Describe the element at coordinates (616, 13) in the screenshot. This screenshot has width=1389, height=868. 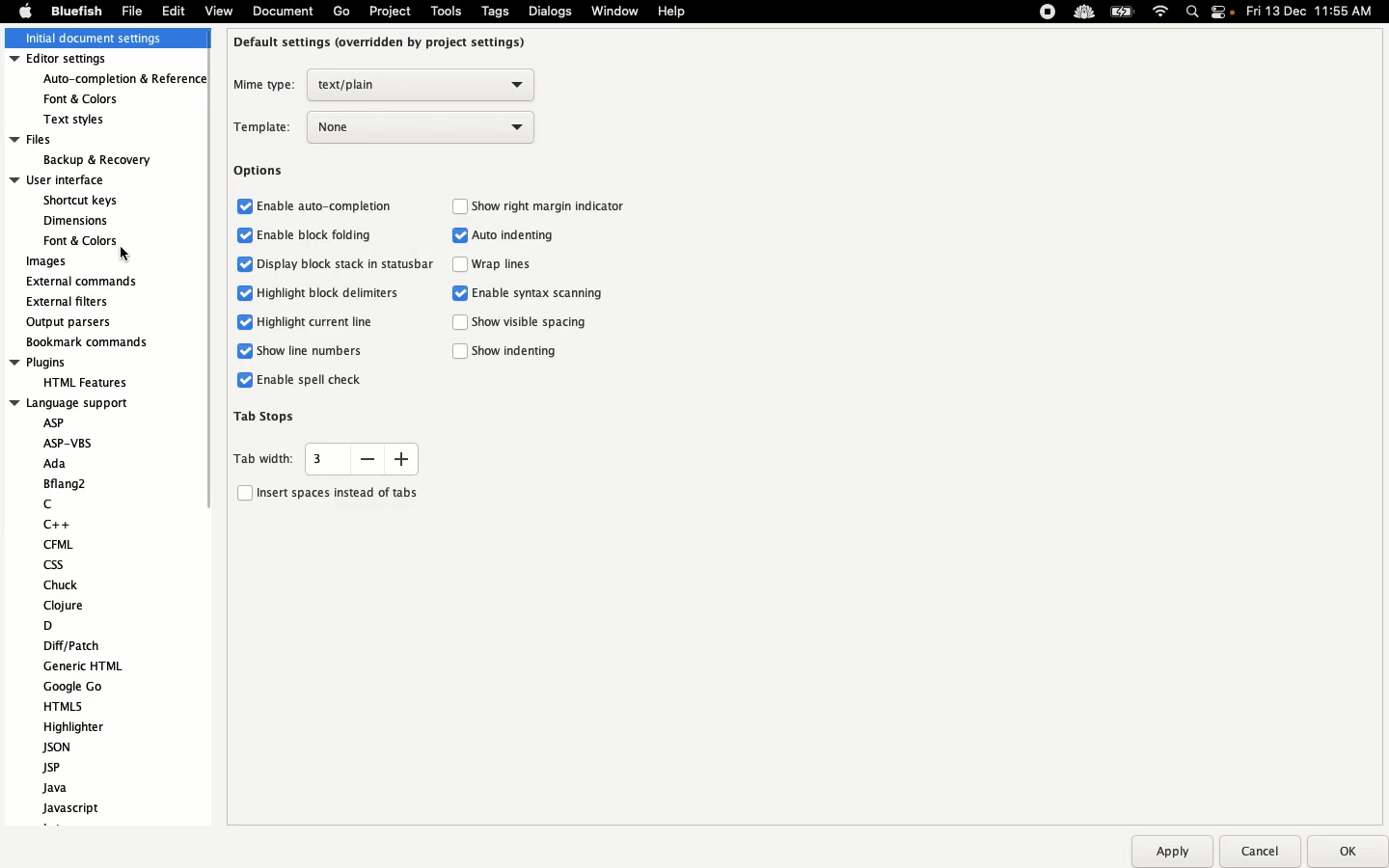
I see `Window` at that location.